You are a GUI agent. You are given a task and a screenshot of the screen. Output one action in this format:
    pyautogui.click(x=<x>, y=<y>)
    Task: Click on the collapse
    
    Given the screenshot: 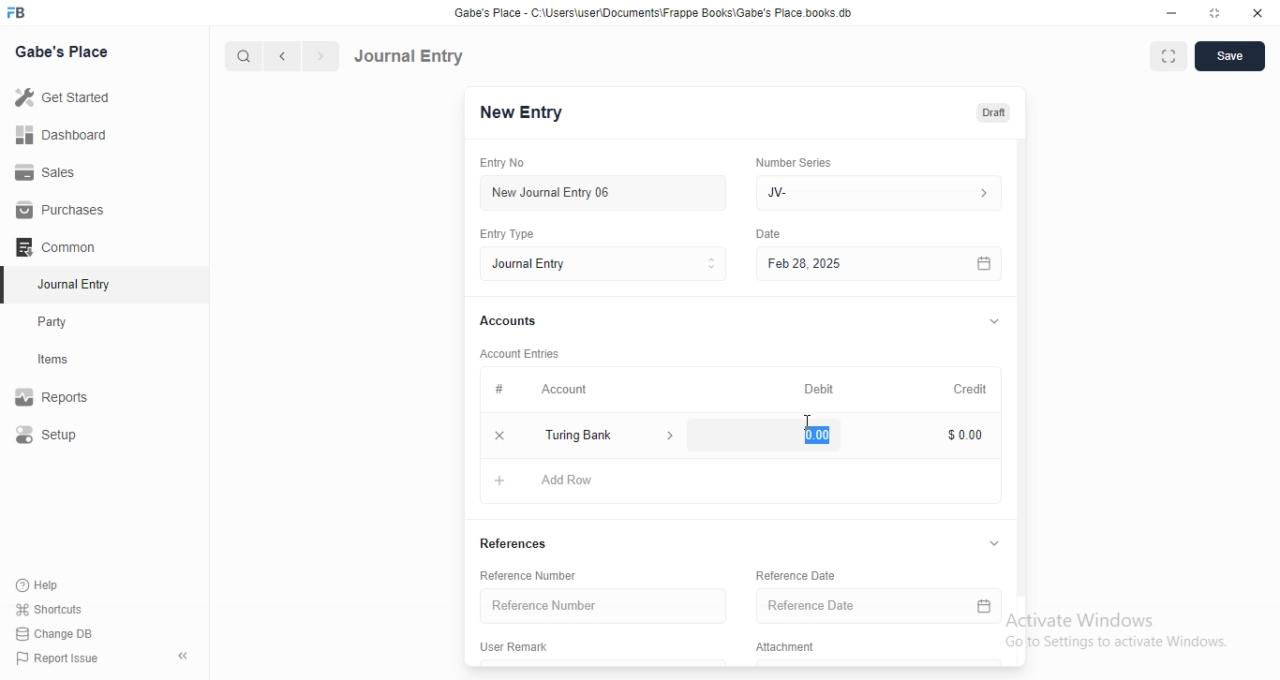 What is the action you would take?
    pyautogui.click(x=996, y=544)
    